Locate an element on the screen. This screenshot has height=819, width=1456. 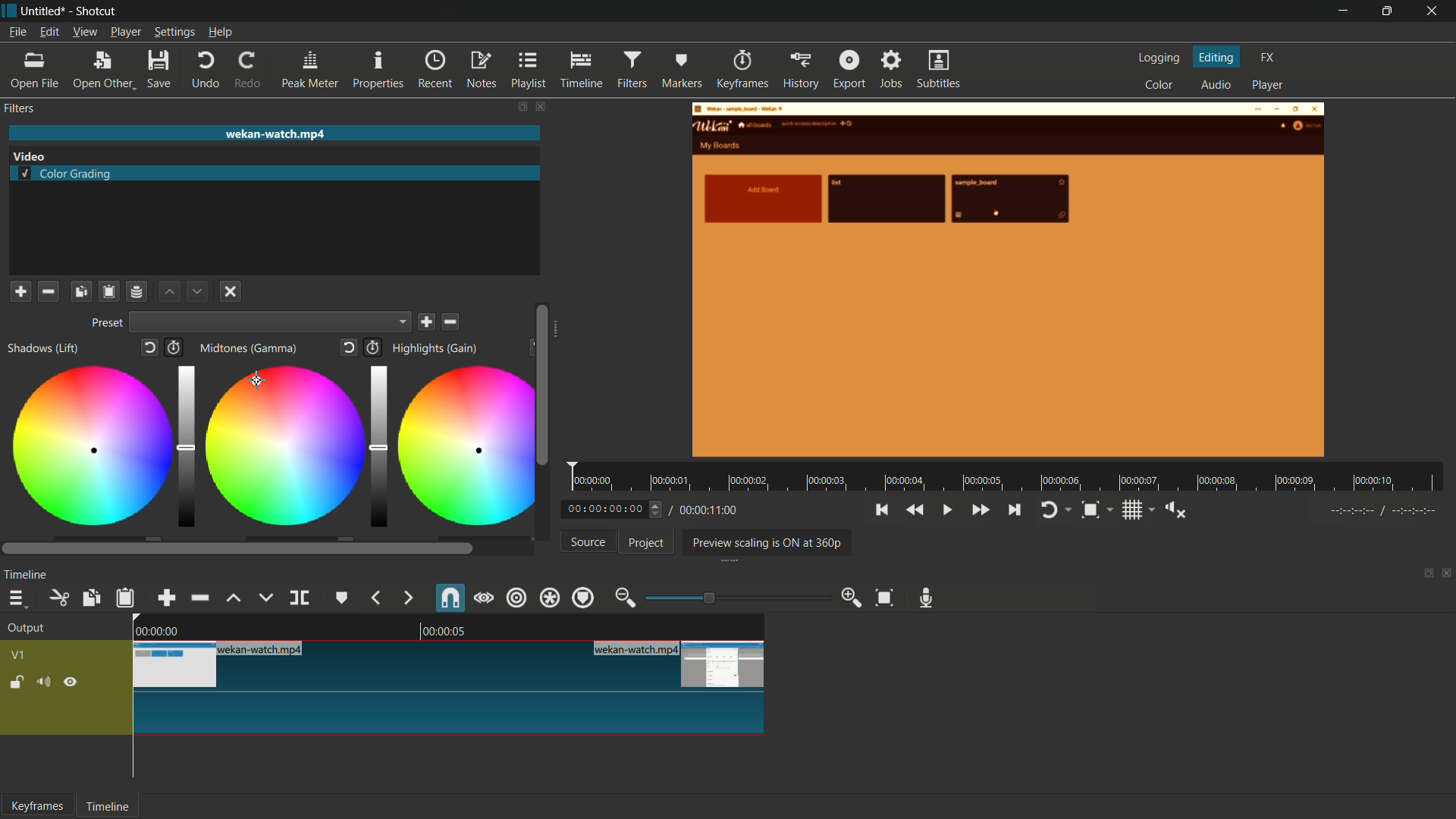
properties is located at coordinates (378, 69).